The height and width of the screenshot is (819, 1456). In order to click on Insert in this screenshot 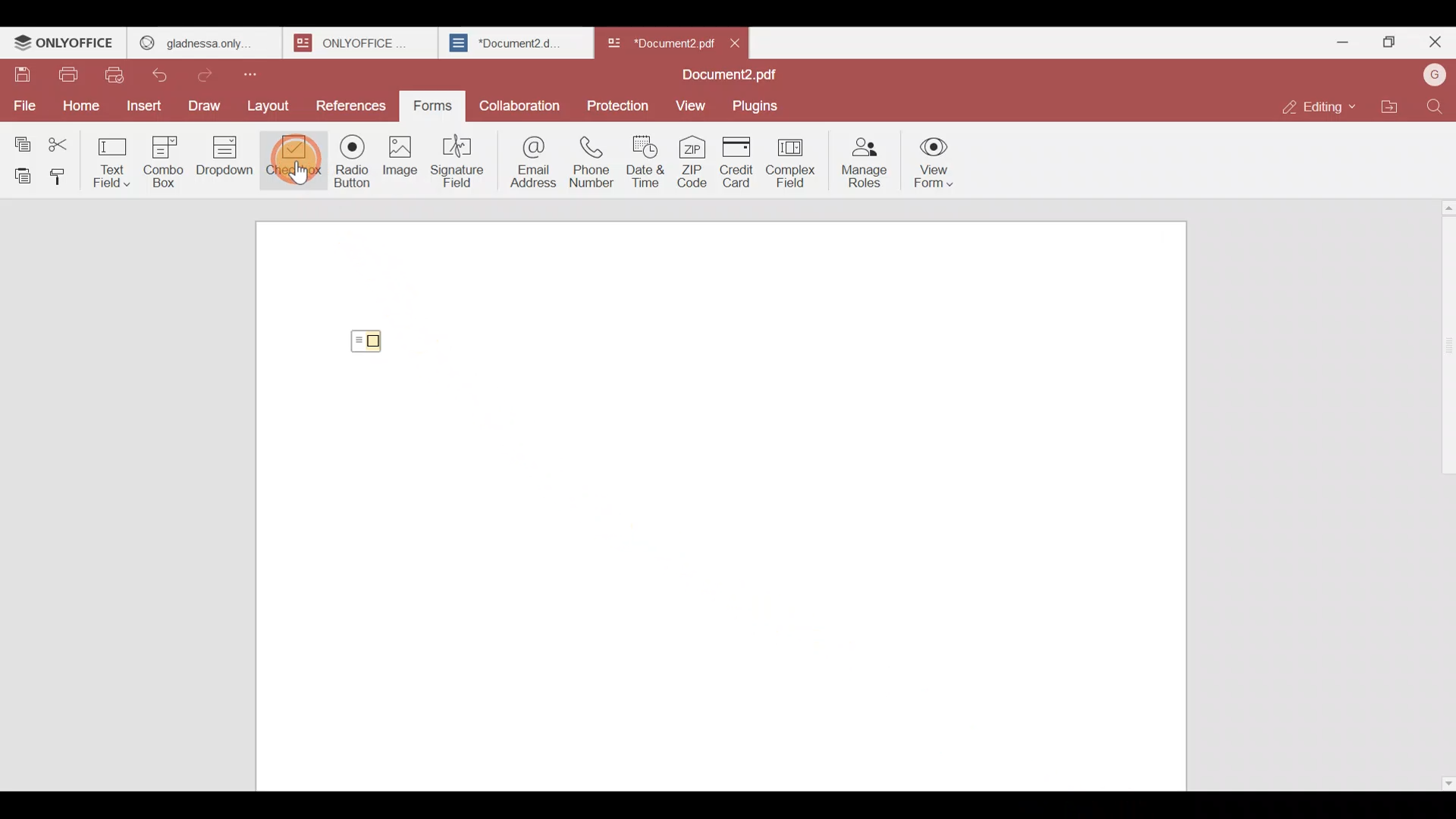, I will do `click(142, 105)`.